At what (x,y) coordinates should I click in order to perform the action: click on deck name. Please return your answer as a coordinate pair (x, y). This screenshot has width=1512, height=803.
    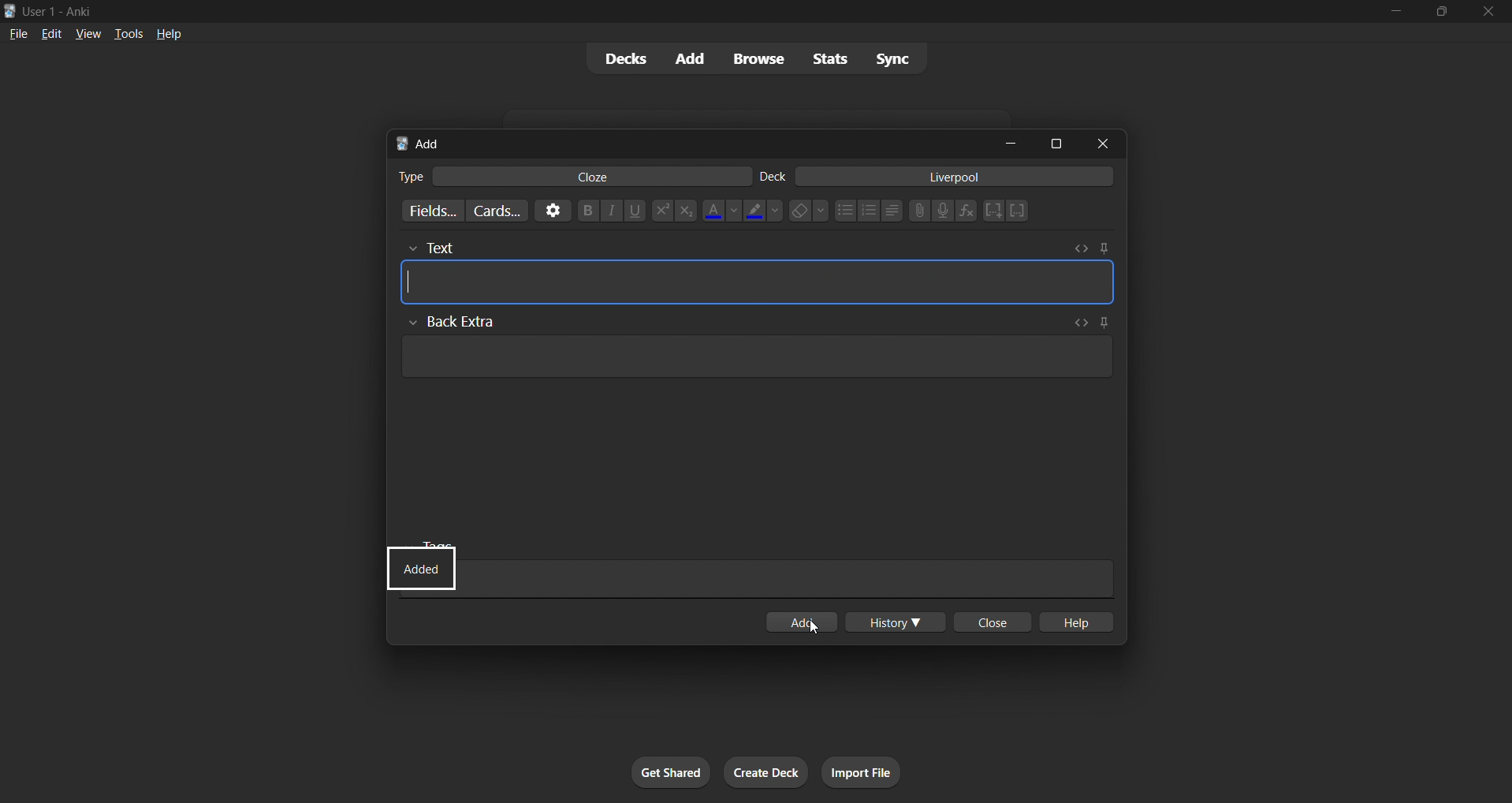
    Looking at the image, I should click on (775, 177).